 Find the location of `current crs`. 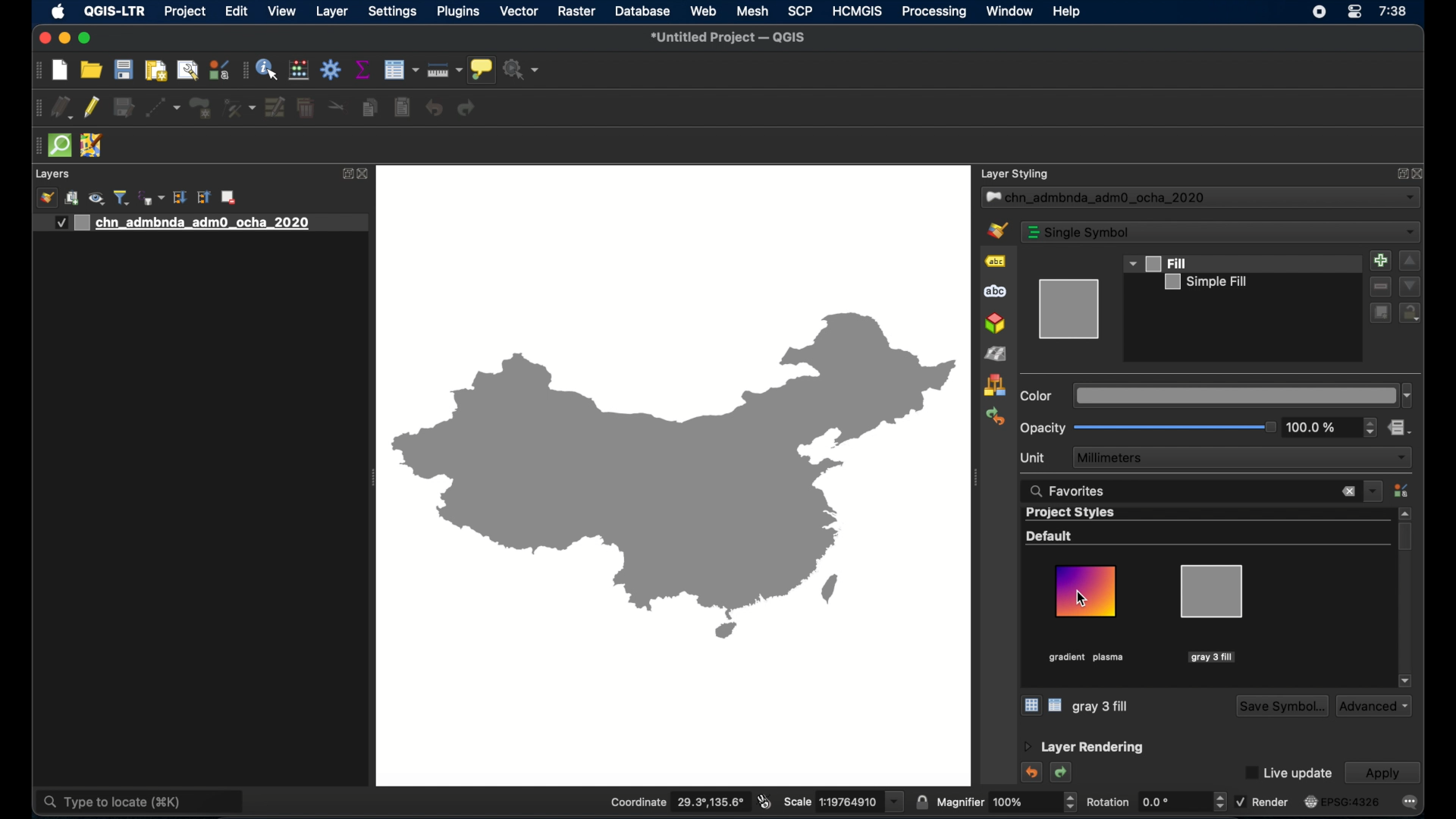

current crs is located at coordinates (1343, 801).